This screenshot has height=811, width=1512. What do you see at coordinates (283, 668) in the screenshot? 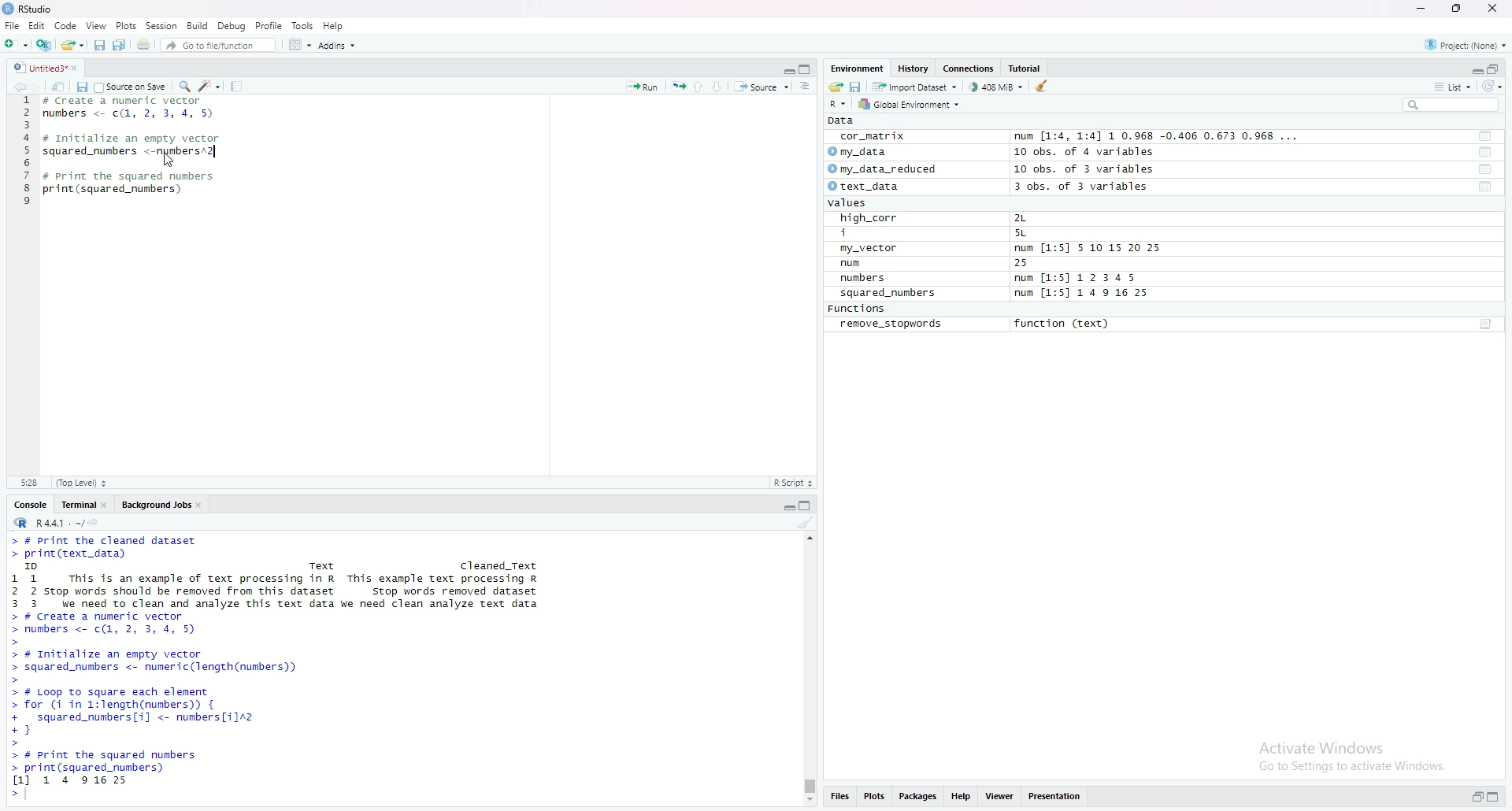
I see `> # print the cleaned dataset> print(text_data)™ Text Cleaned_Text11 This is an example of text processing in R This example text processing R2 2 stop words should be removed from this dataset stop words removed dataset3 3 ve need to clean and analyze this text data We need clean analyze text data> # Create a numeric vector> numbers <- c(1, 2, 3, 4, 5)> # Initialize an empty vector> squared_numbers <- numer ic(length(numbers))> # Loop To square each element> for (i in 1:length(numbers)) {+ squared_numbers[i] <- nunbers[i12+}> # print the squared numbers> print(squared_numbers)1] 1 4 9 16 25 >` at bounding box center [283, 668].